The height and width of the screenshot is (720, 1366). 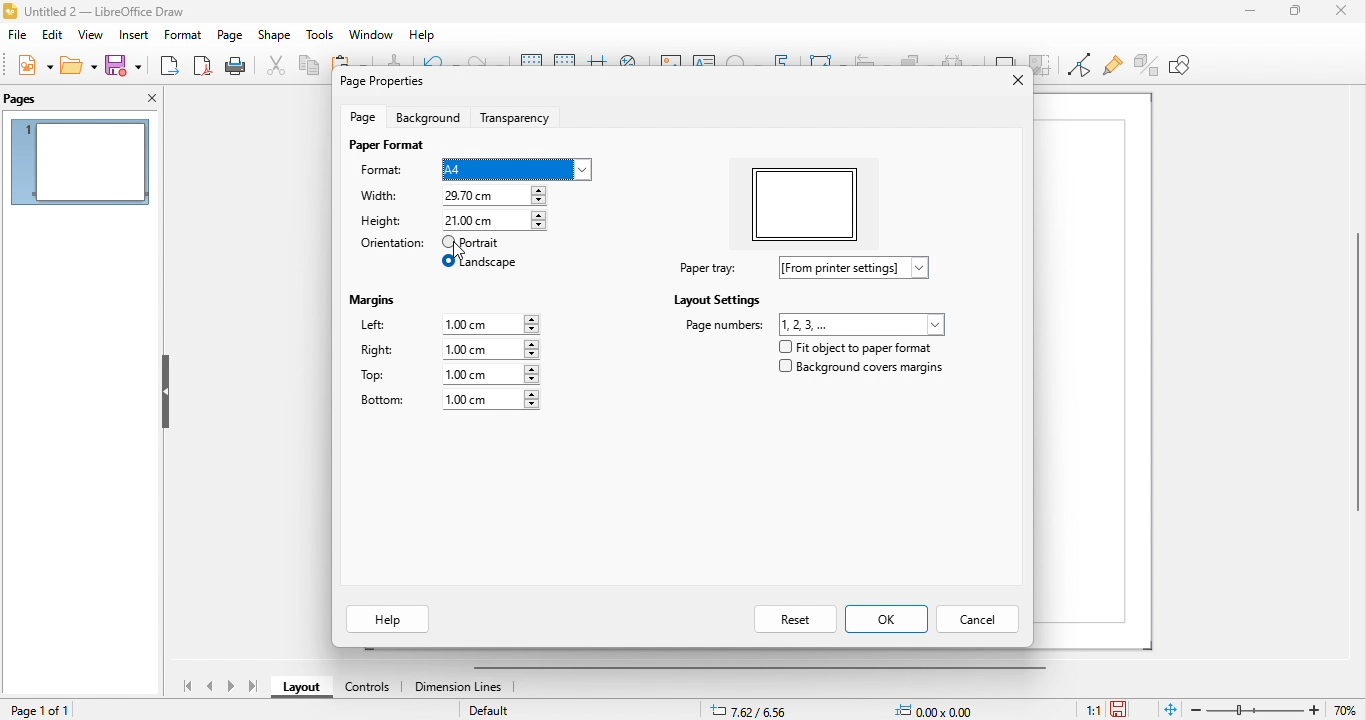 What do you see at coordinates (212, 687) in the screenshot?
I see `previous` at bounding box center [212, 687].